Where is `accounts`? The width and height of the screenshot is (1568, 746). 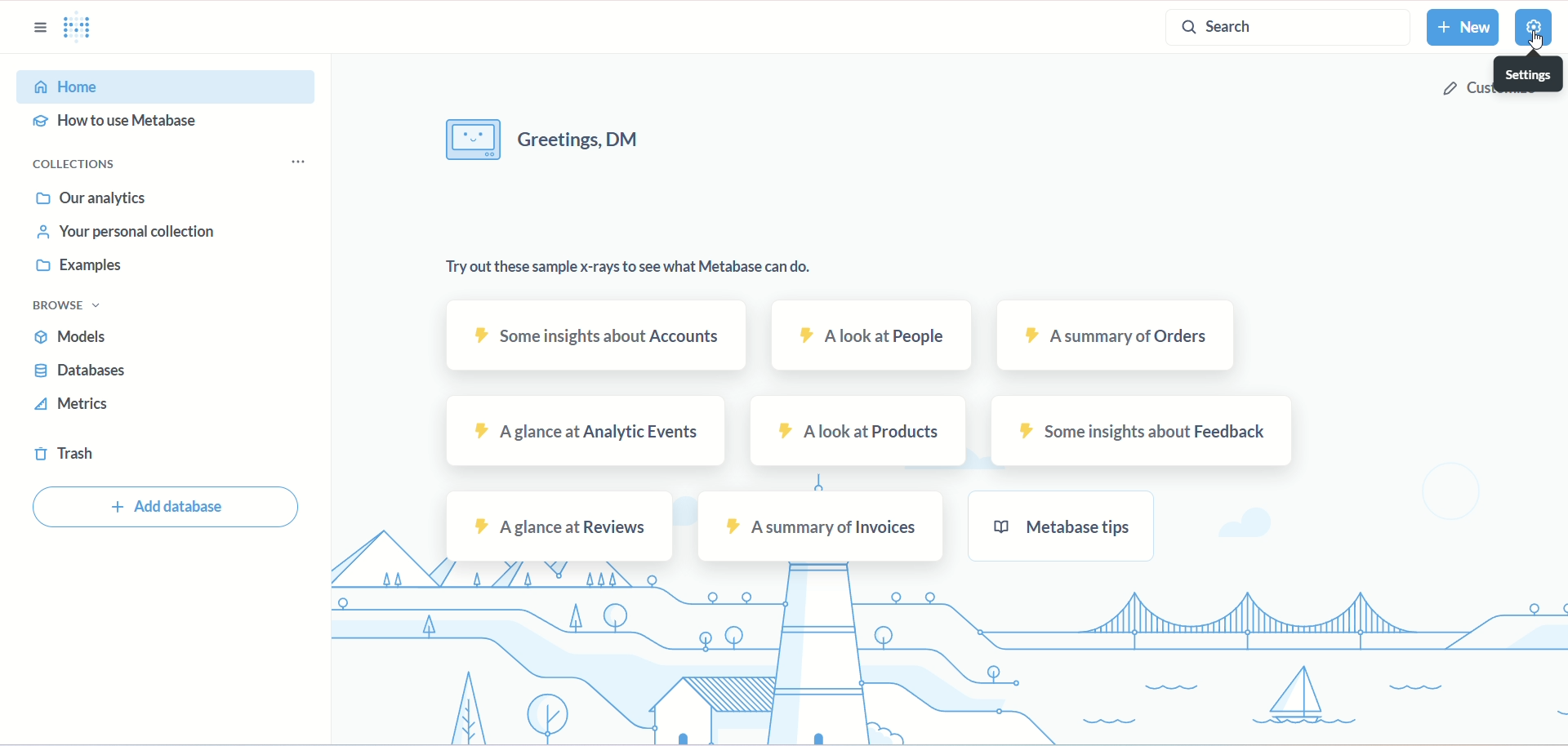 accounts is located at coordinates (595, 334).